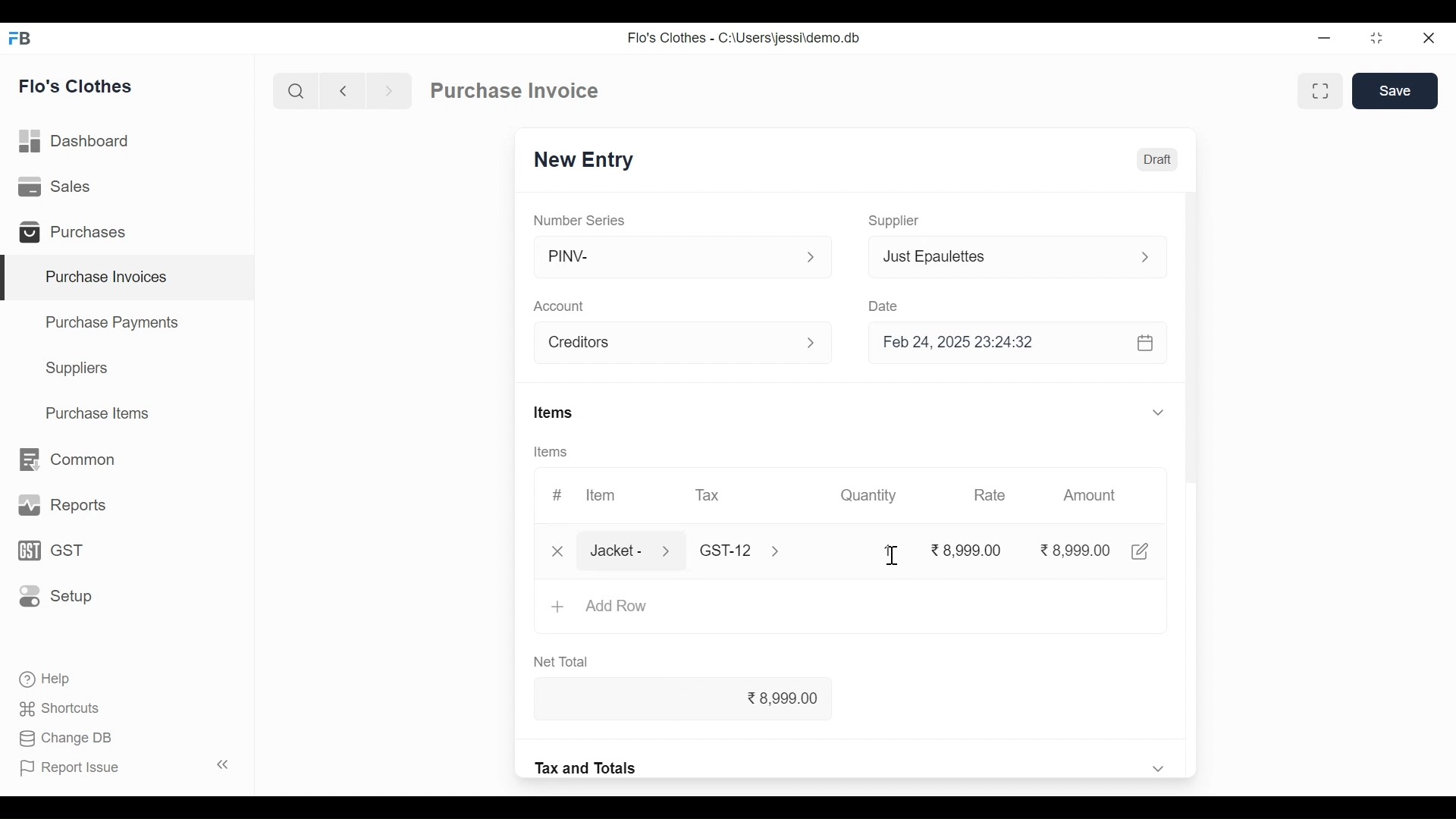 This screenshot has width=1456, height=819. I want to click on 8,999.00, so click(701, 700).